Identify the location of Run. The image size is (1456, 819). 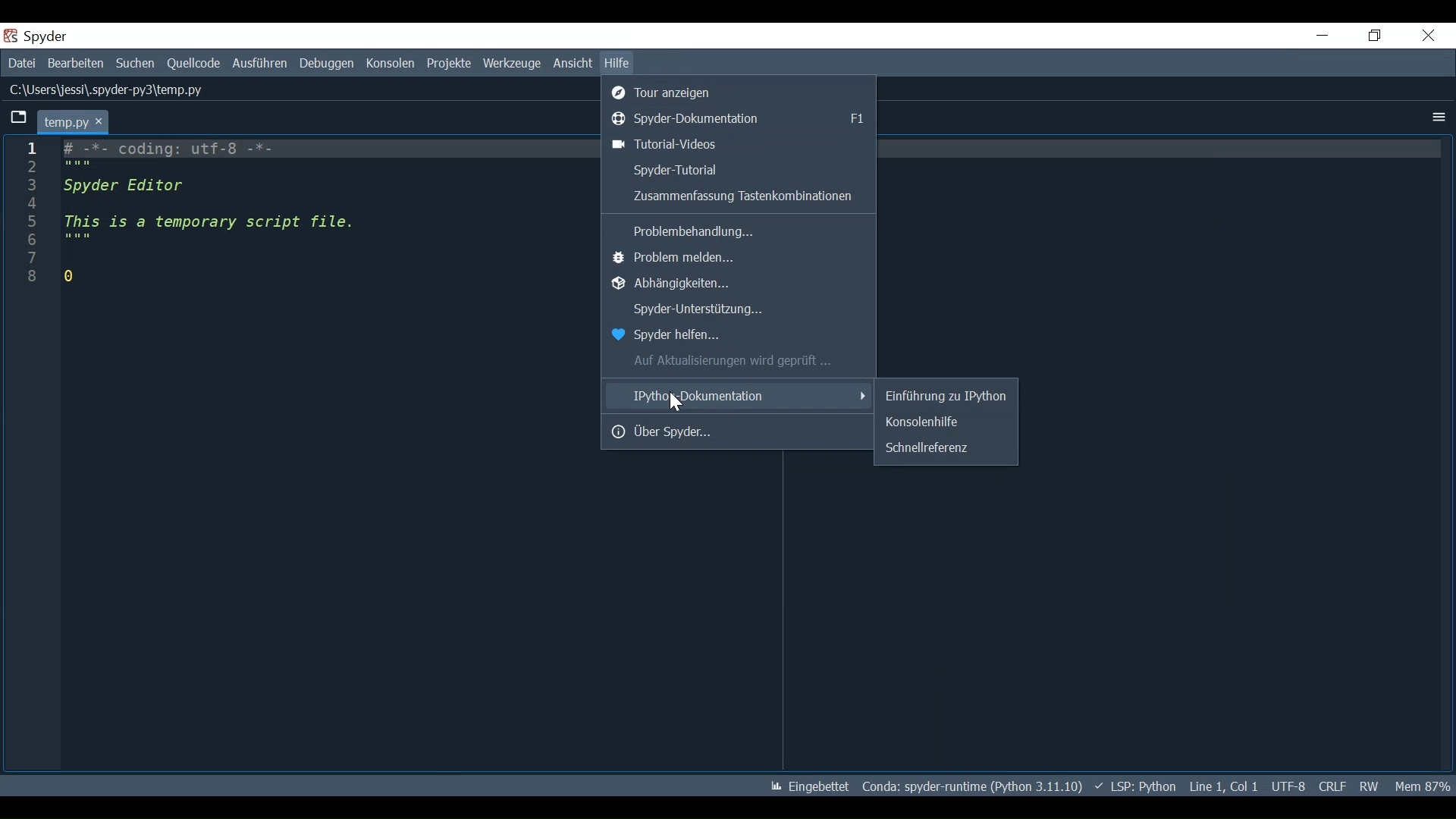
(260, 63).